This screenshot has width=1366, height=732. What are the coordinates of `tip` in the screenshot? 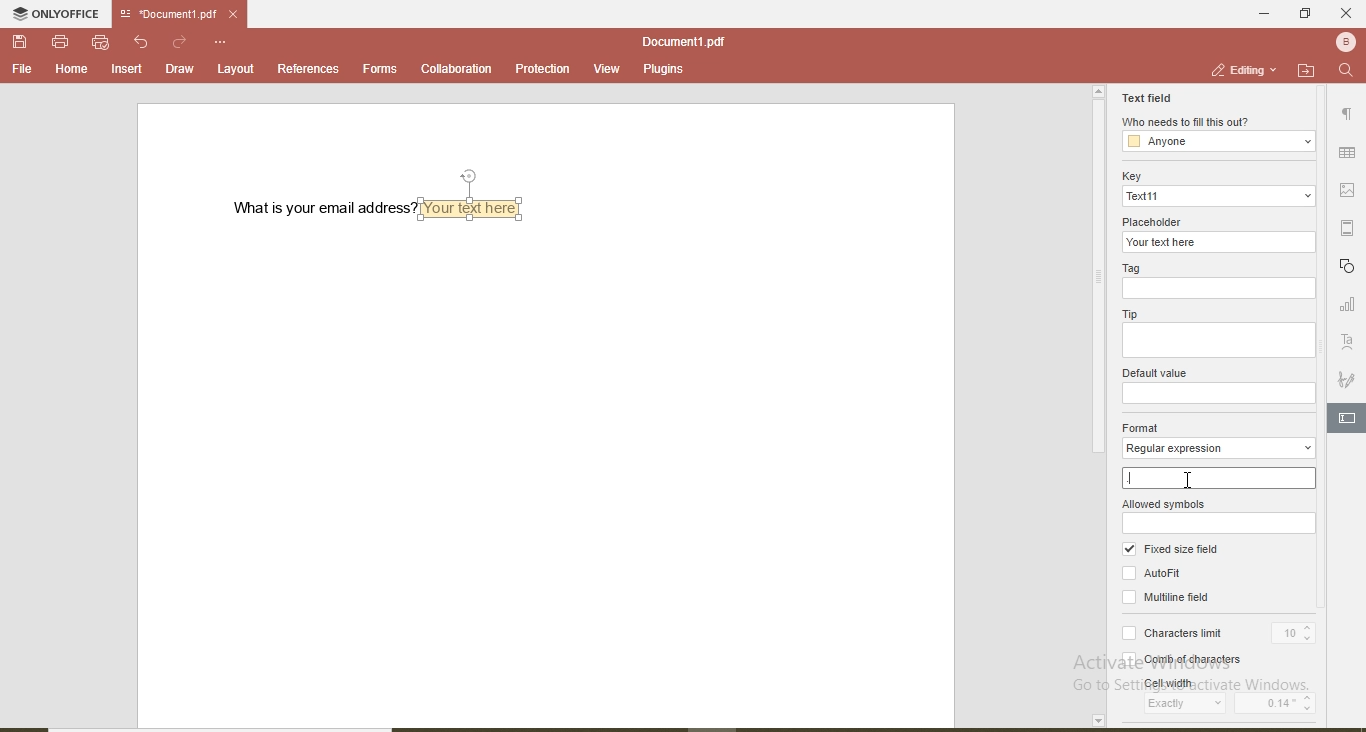 It's located at (1130, 315).